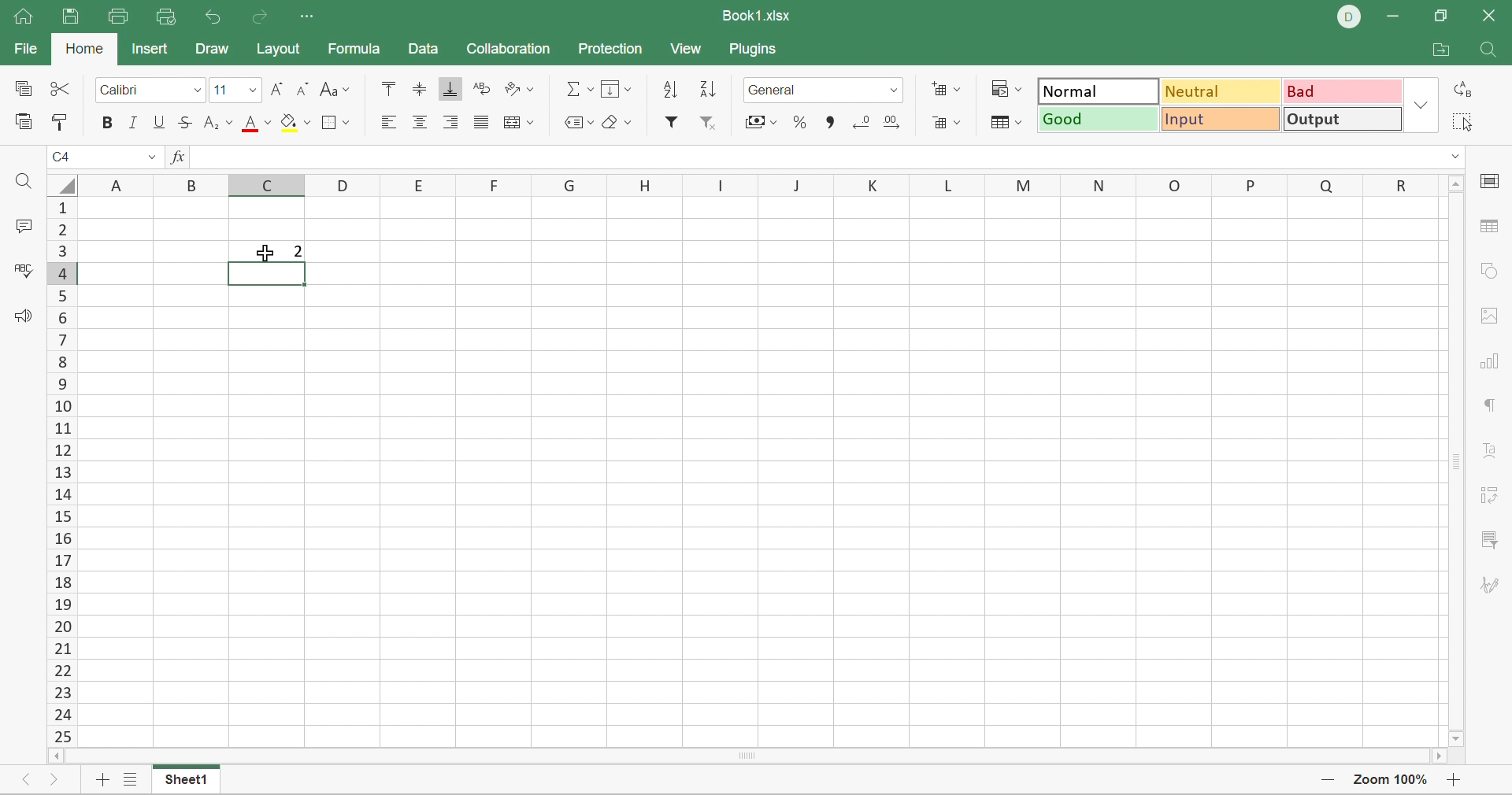 The image size is (1512, 795). What do you see at coordinates (1488, 494) in the screenshot?
I see `pivot table settings` at bounding box center [1488, 494].